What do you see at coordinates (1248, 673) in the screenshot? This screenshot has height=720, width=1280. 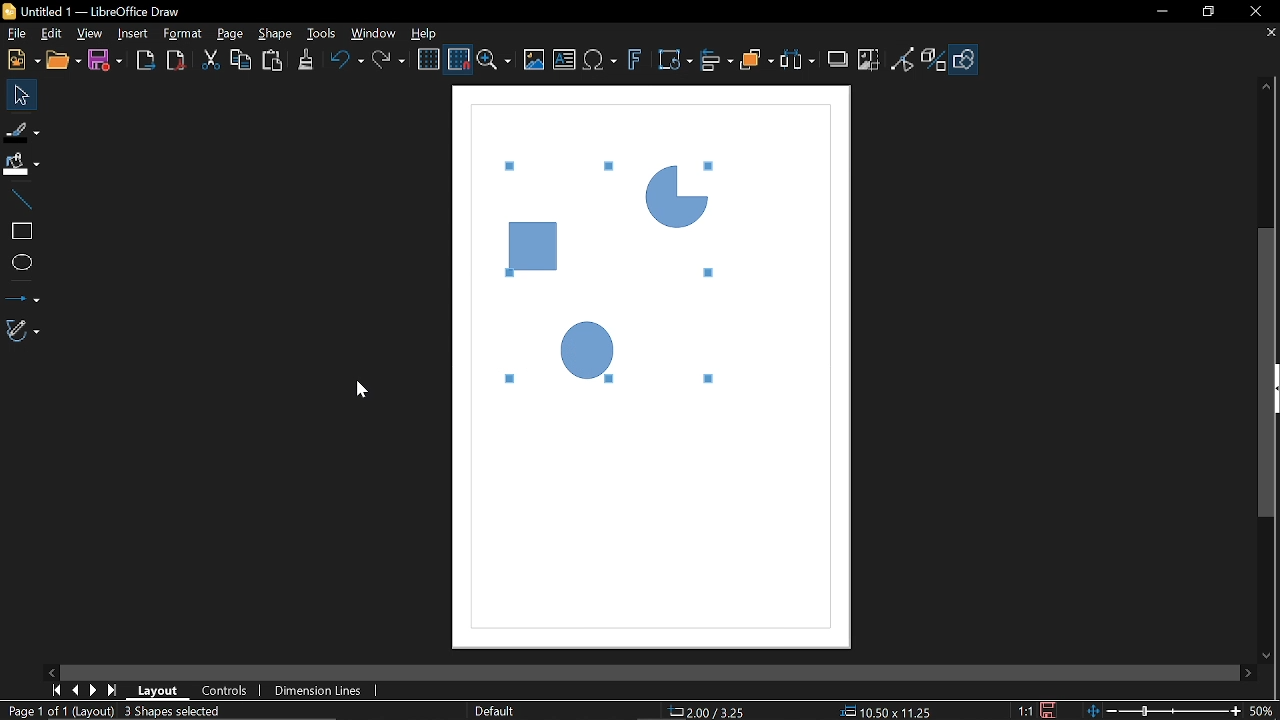 I see `Move right` at bounding box center [1248, 673].